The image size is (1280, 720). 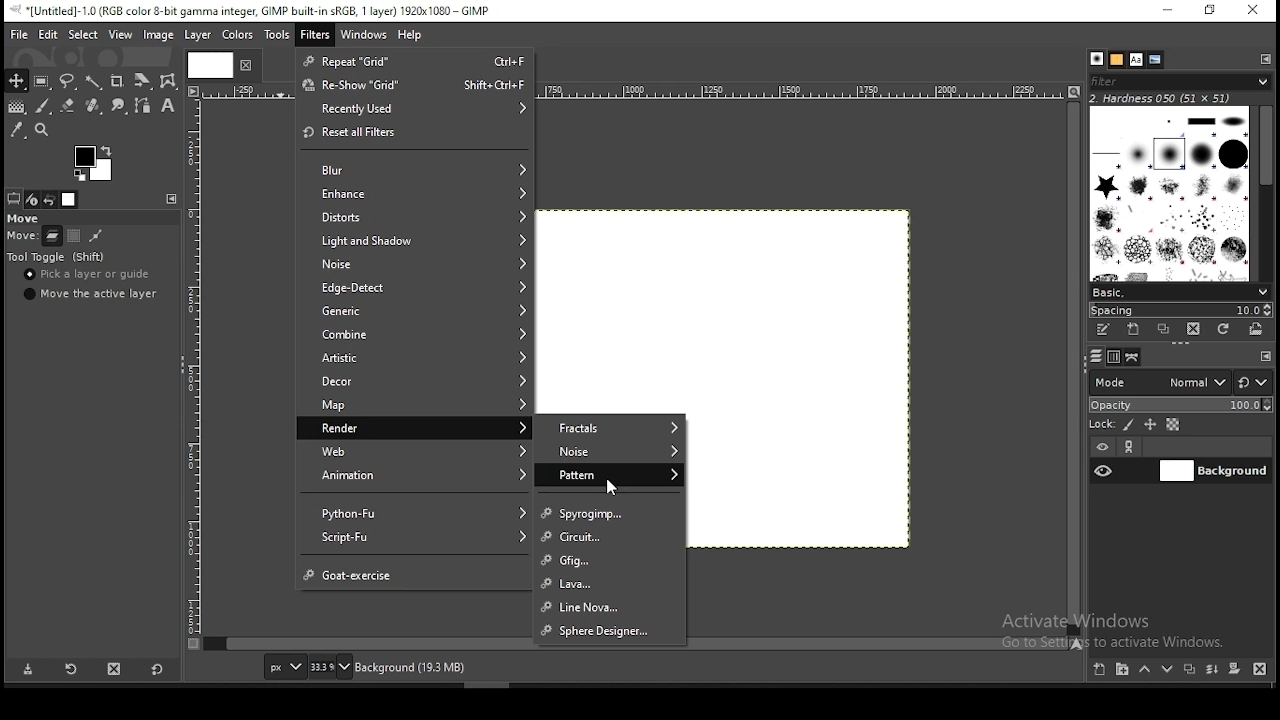 I want to click on undo history, so click(x=50, y=200).